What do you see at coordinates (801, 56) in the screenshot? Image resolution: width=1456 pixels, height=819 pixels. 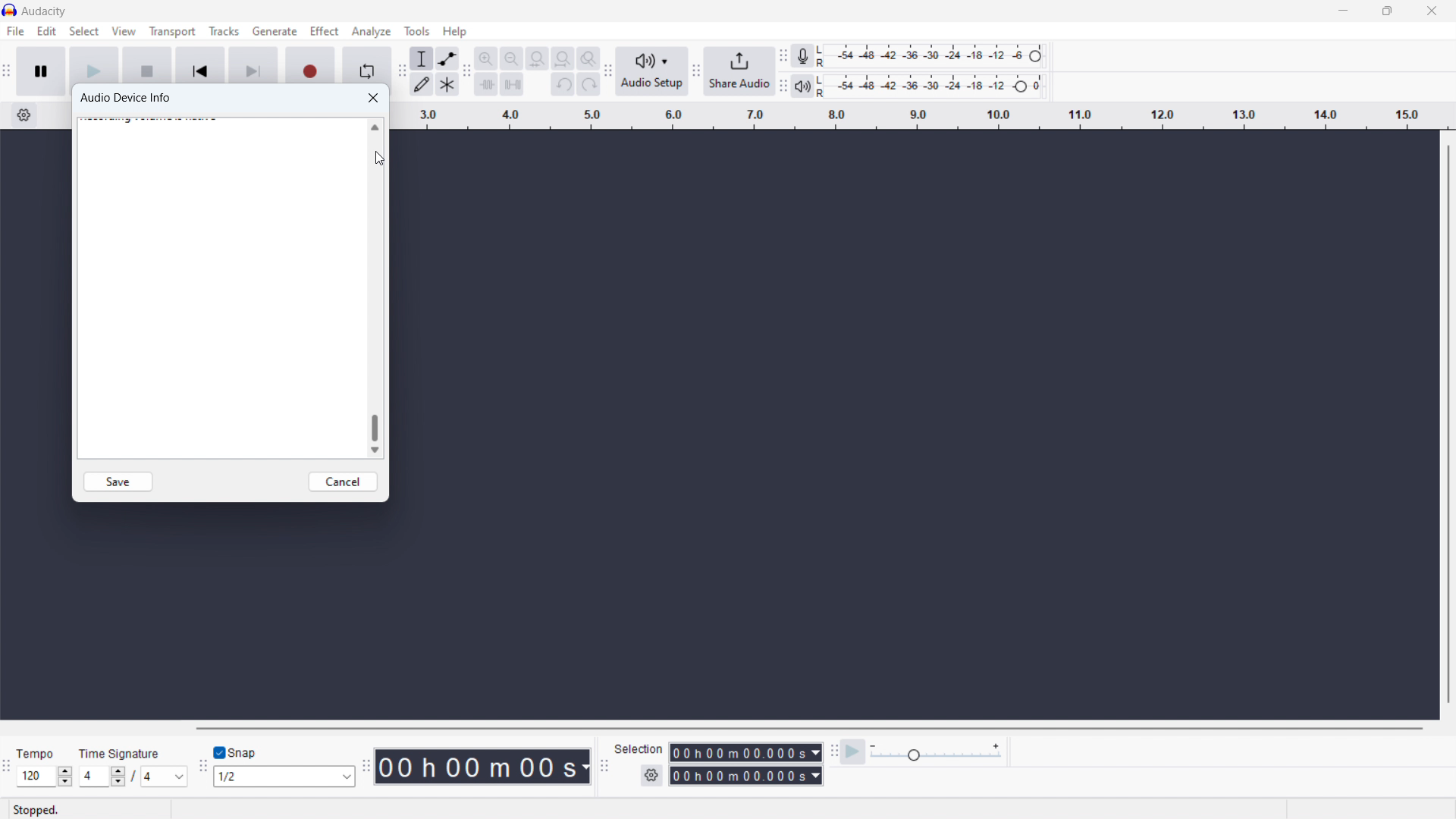 I see `recording meter` at bounding box center [801, 56].